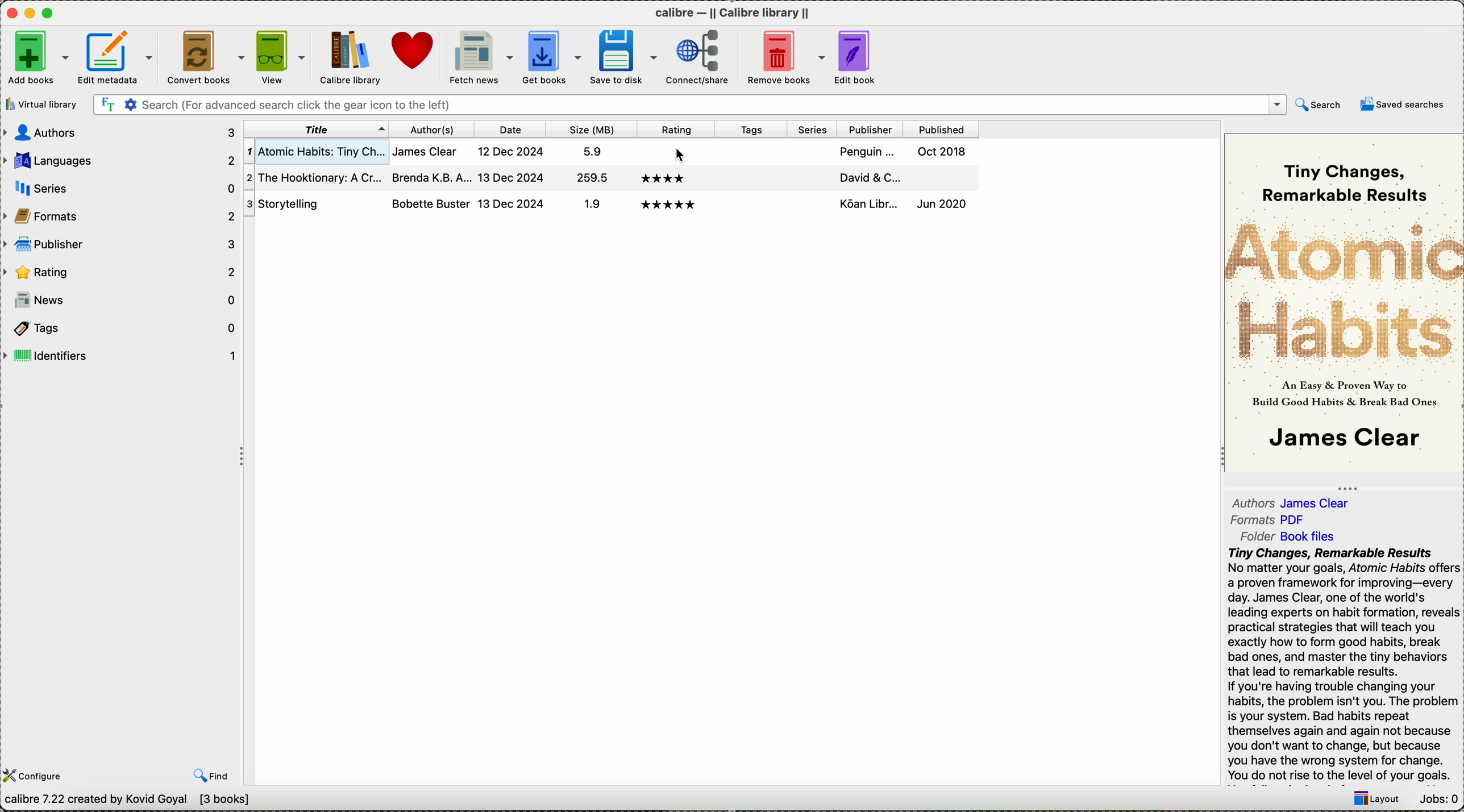 The image size is (1464, 812). Describe the element at coordinates (432, 129) in the screenshot. I see `authors` at that location.